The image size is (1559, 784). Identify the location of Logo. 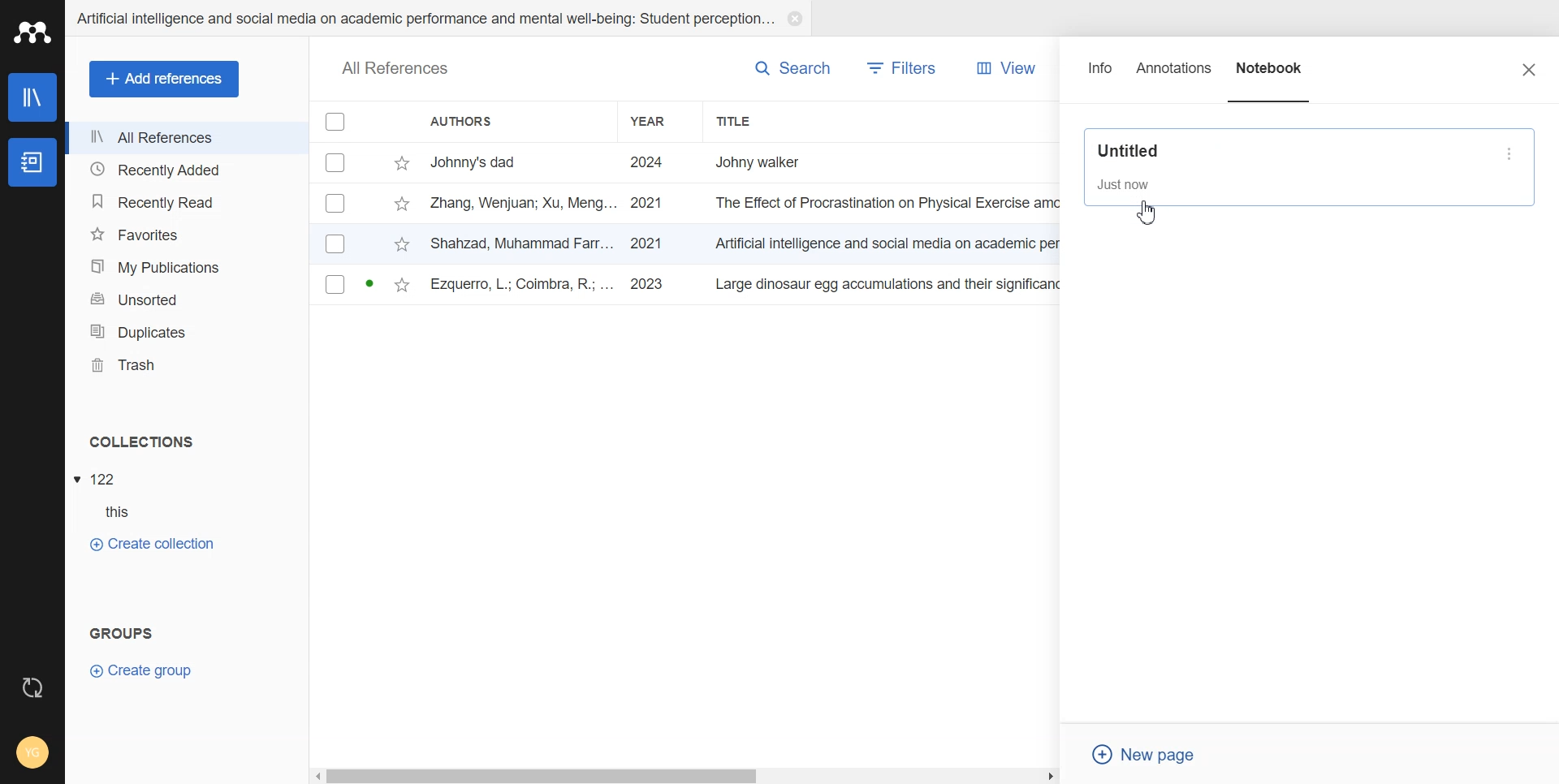
(32, 32).